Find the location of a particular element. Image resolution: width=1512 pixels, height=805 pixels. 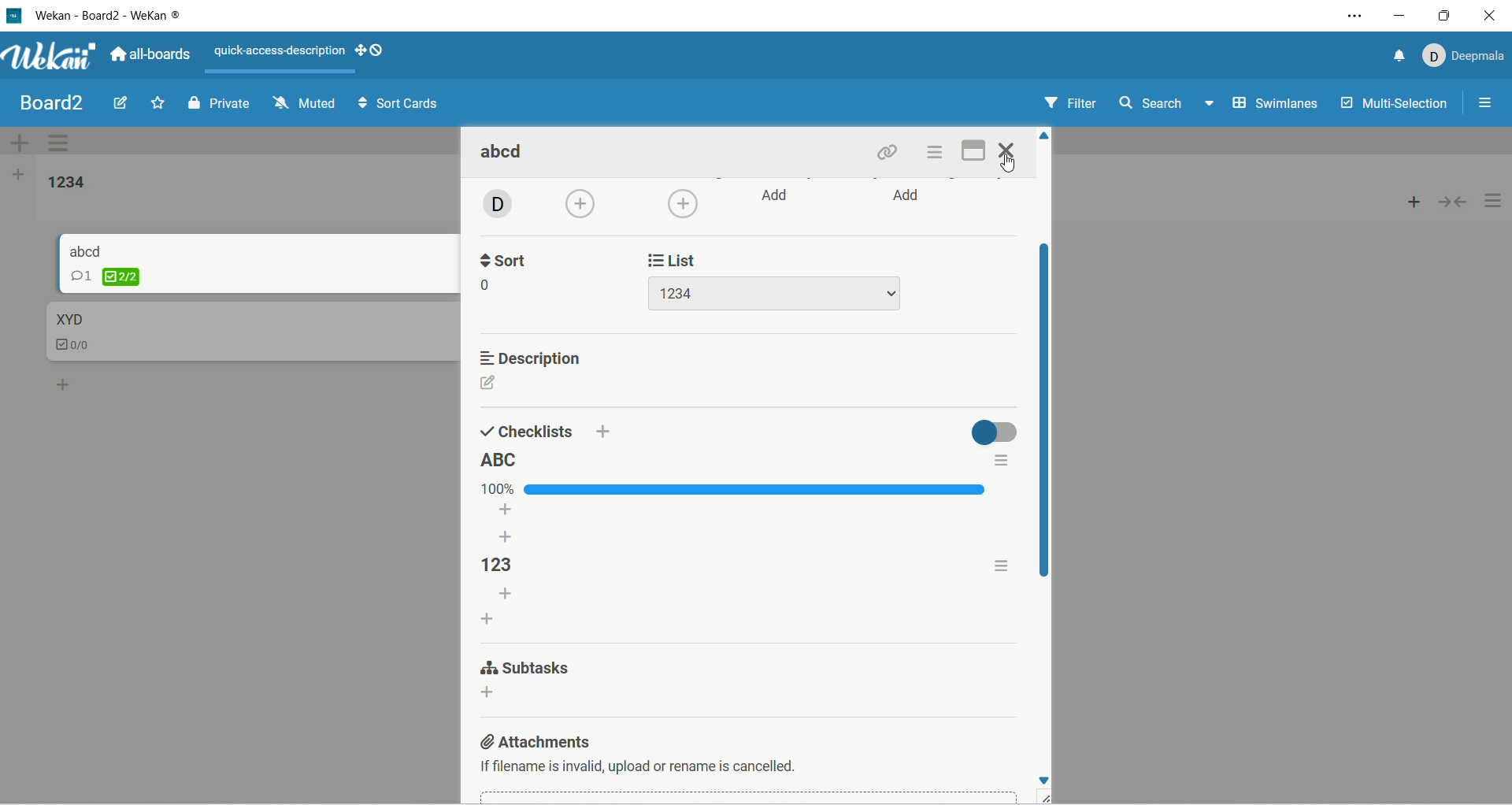

settings and more is located at coordinates (1354, 17).